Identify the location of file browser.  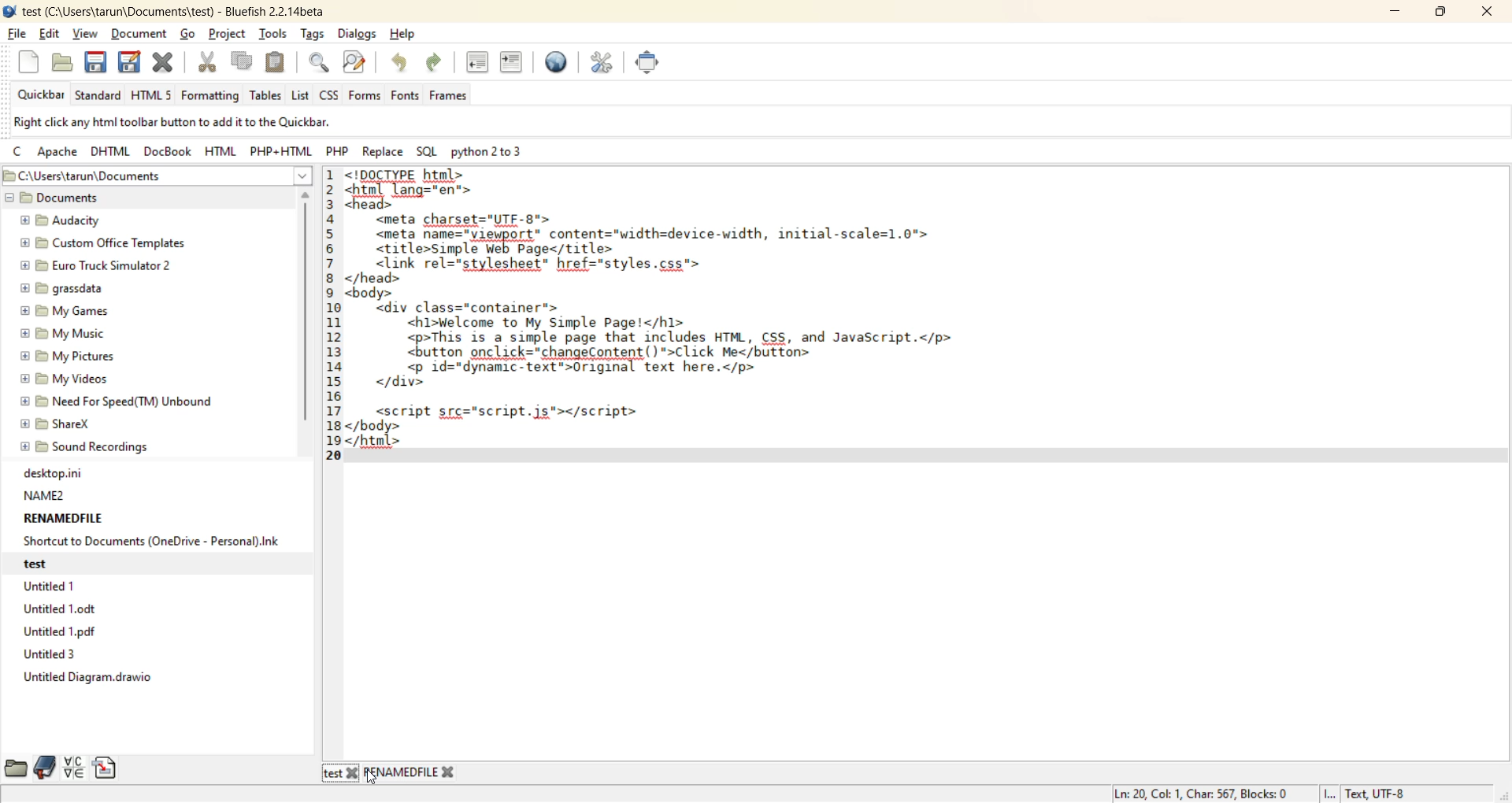
(17, 770).